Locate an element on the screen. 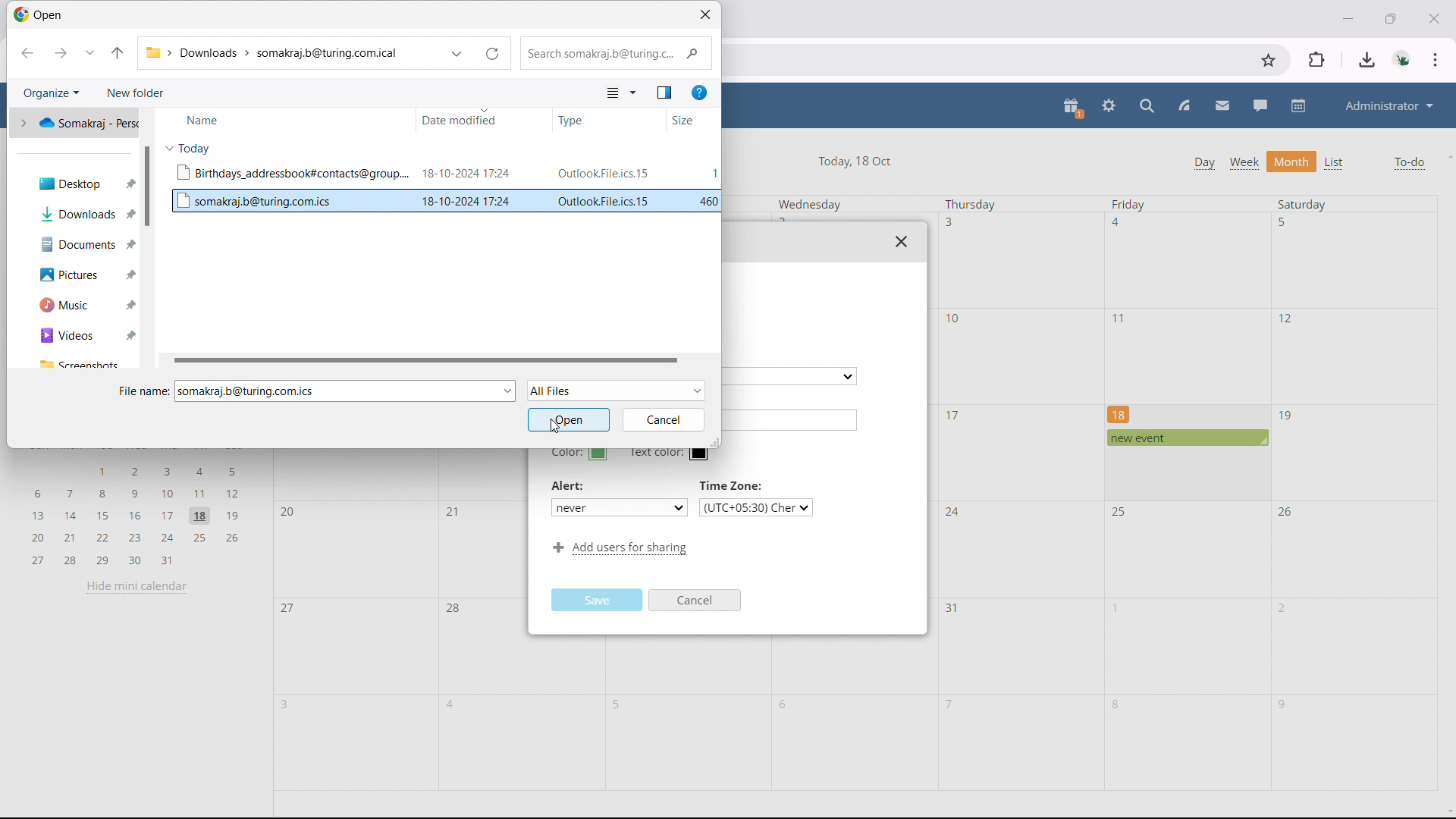  List is located at coordinates (1335, 163).